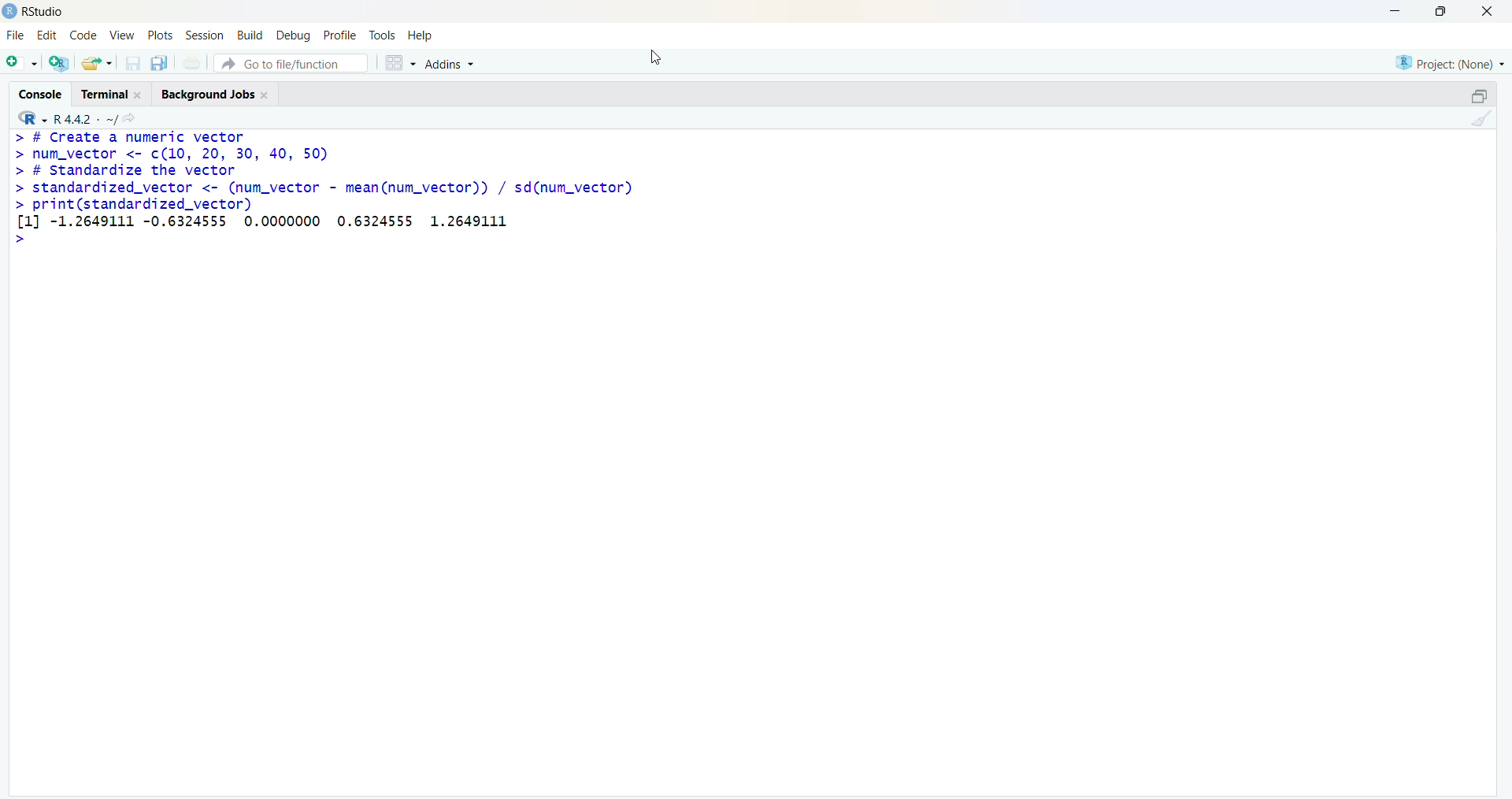 Image resolution: width=1512 pixels, height=799 pixels. What do you see at coordinates (265, 95) in the screenshot?
I see `close` at bounding box center [265, 95].